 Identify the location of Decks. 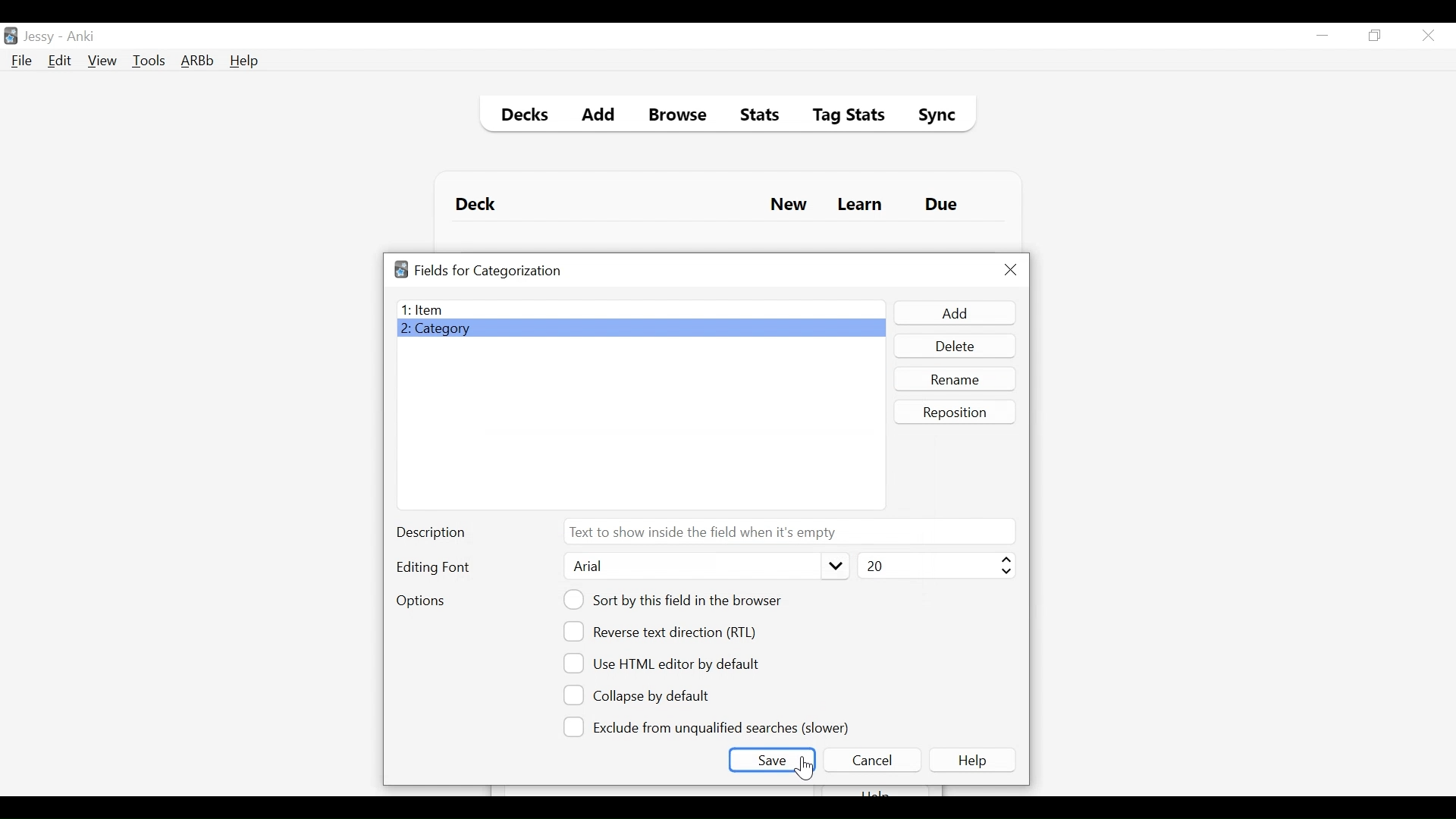
(521, 117).